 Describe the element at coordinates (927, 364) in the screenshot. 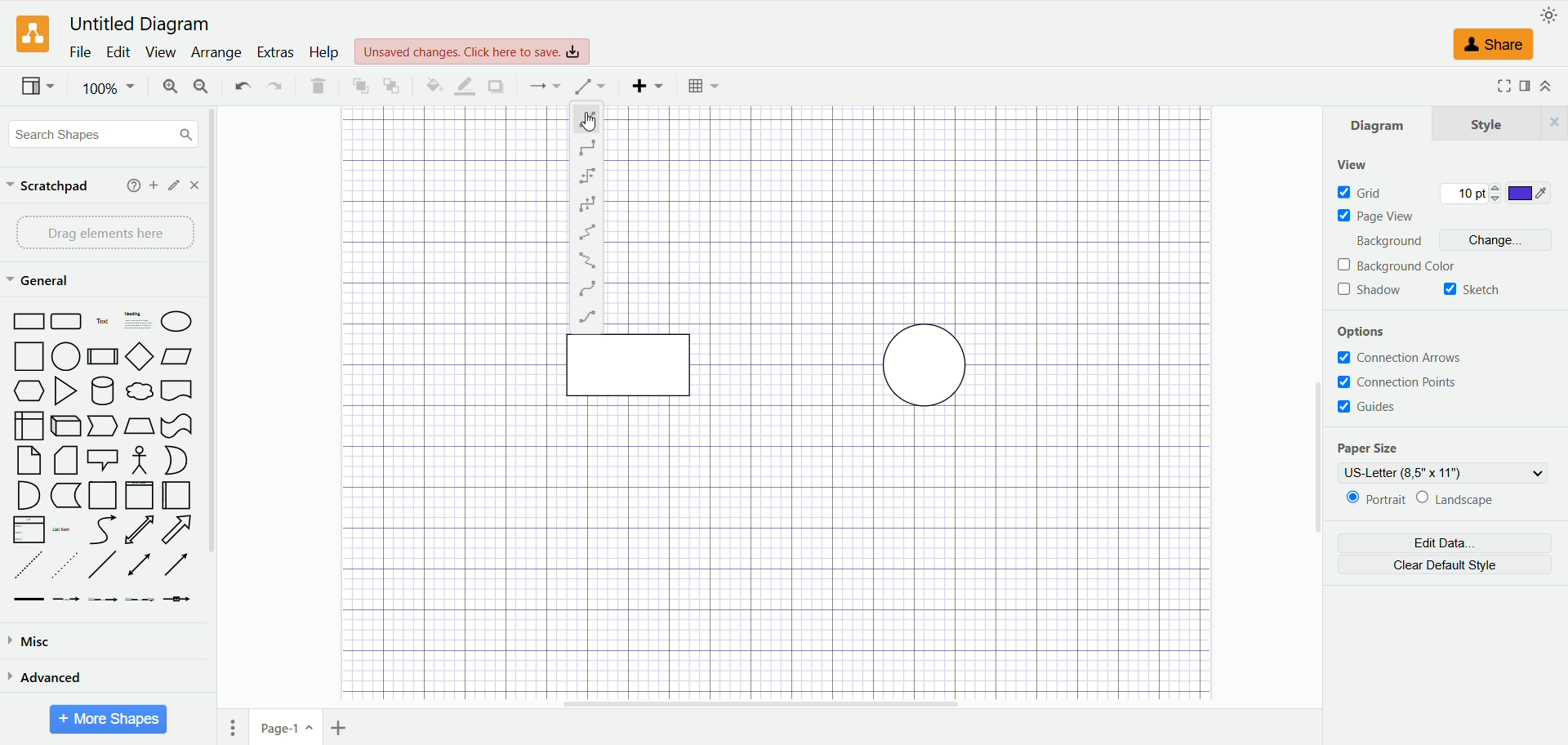

I see `circle` at that location.